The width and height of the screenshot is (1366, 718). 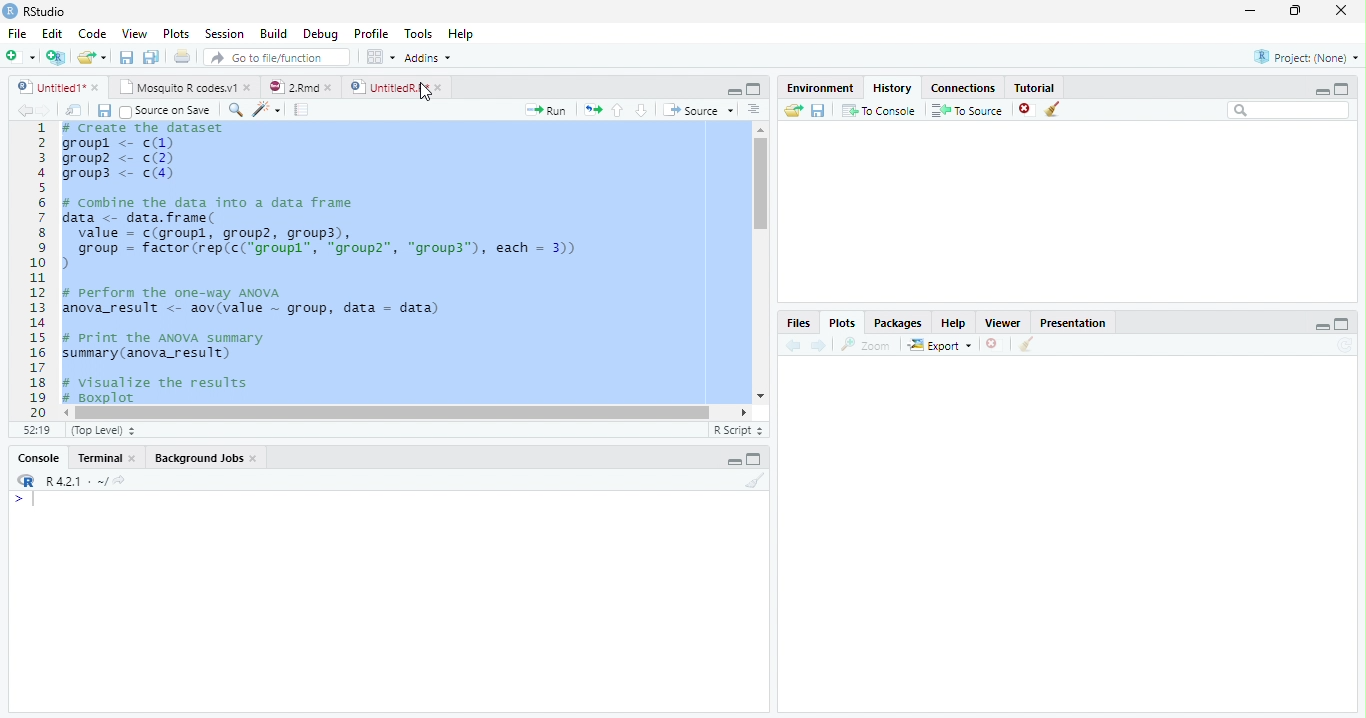 I want to click on Code, so click(x=90, y=34).